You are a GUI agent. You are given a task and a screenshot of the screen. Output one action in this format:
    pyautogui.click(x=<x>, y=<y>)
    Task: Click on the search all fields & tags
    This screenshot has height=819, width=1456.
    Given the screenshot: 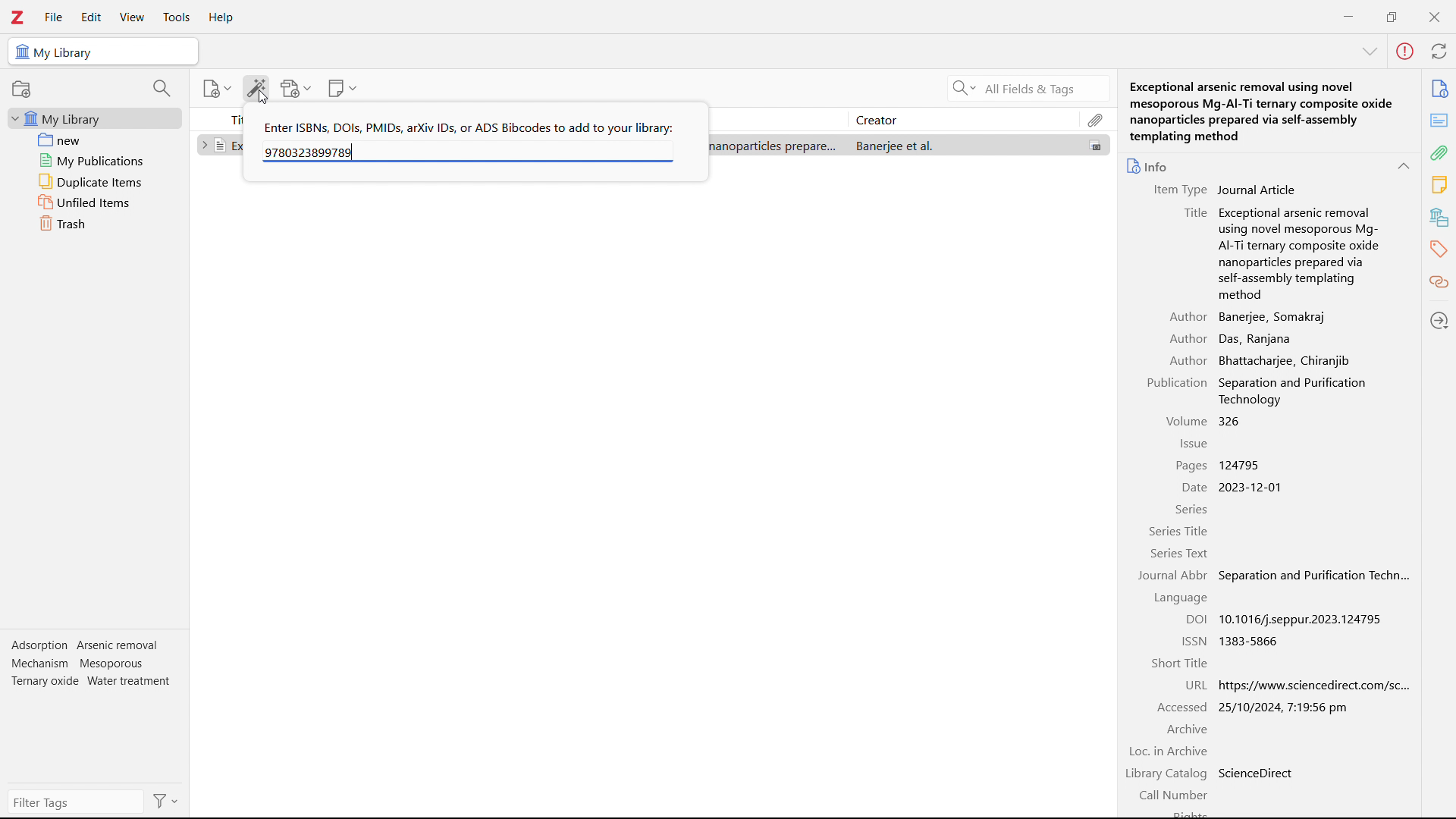 What is the action you would take?
    pyautogui.click(x=1025, y=89)
    